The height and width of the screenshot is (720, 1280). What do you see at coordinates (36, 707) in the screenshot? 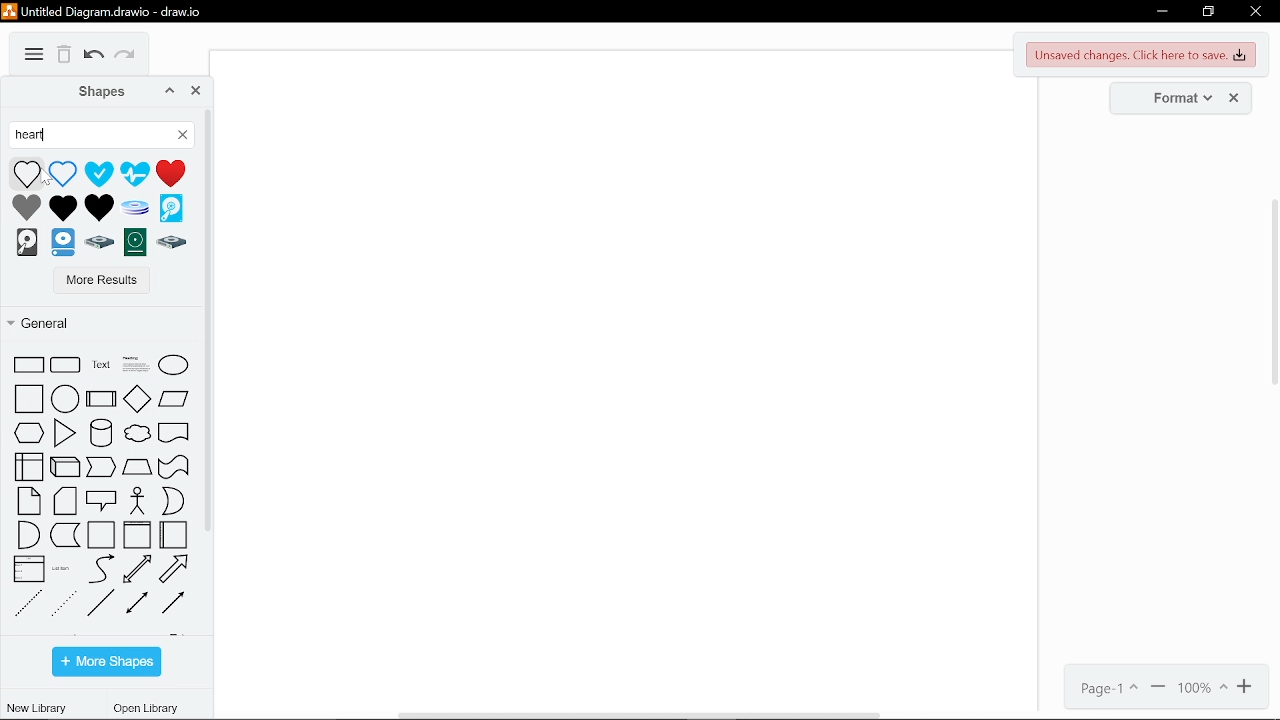
I see `new library` at bounding box center [36, 707].